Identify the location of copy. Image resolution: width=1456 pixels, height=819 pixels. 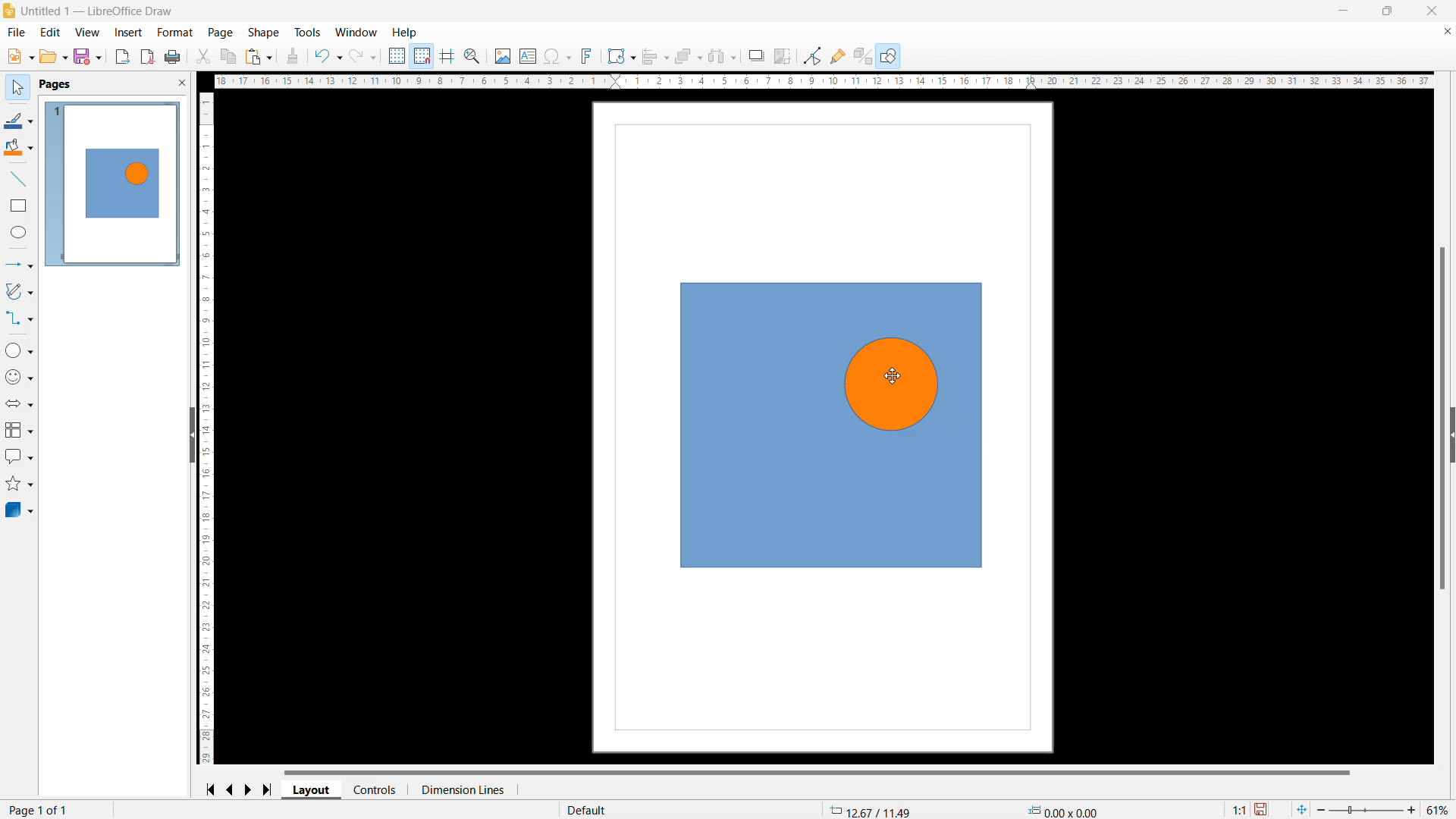
(228, 56).